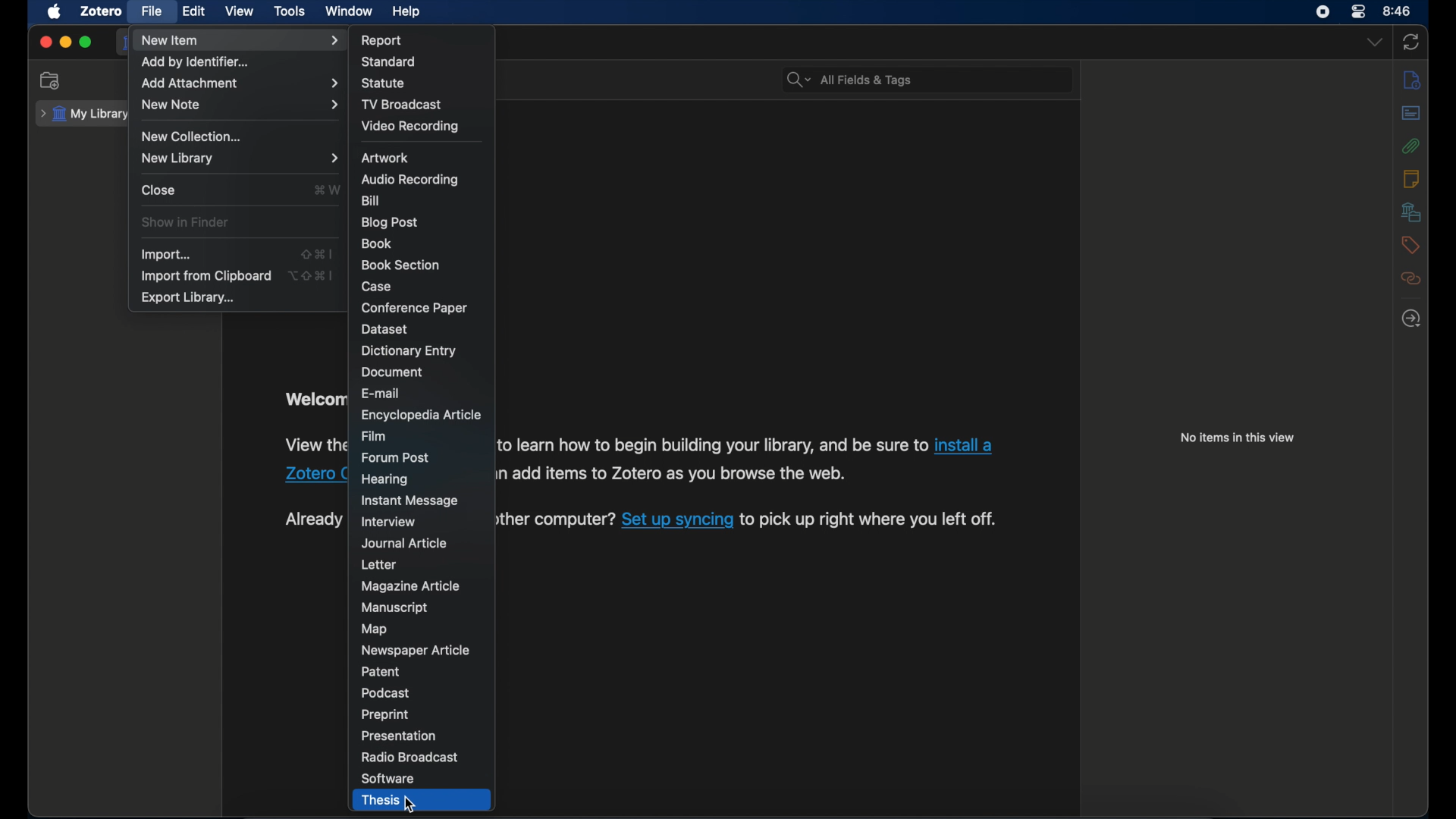  What do you see at coordinates (557, 521) in the screenshot?
I see `software information` at bounding box center [557, 521].